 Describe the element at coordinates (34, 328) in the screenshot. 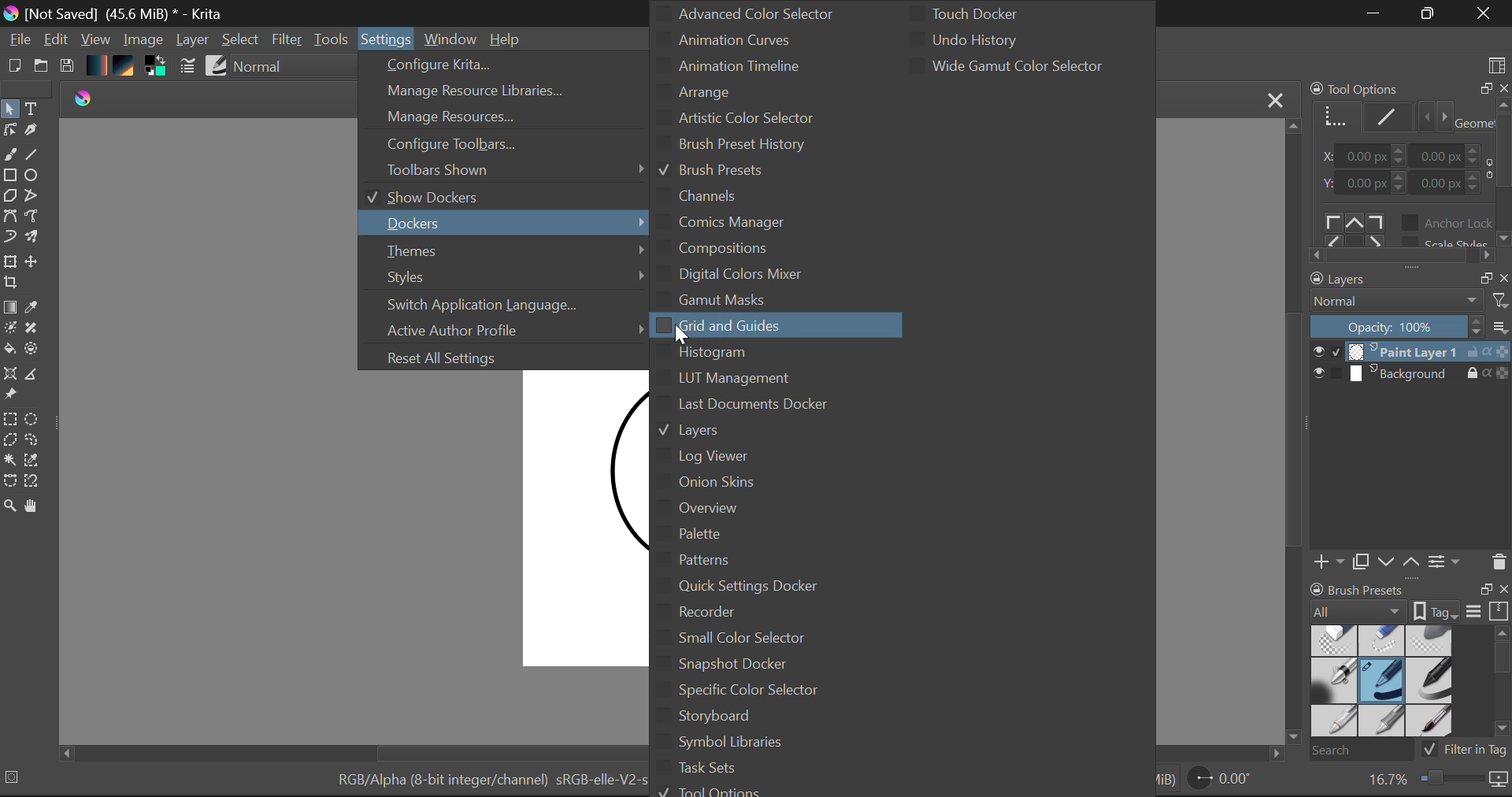

I see `Smart Patch Tool` at that location.